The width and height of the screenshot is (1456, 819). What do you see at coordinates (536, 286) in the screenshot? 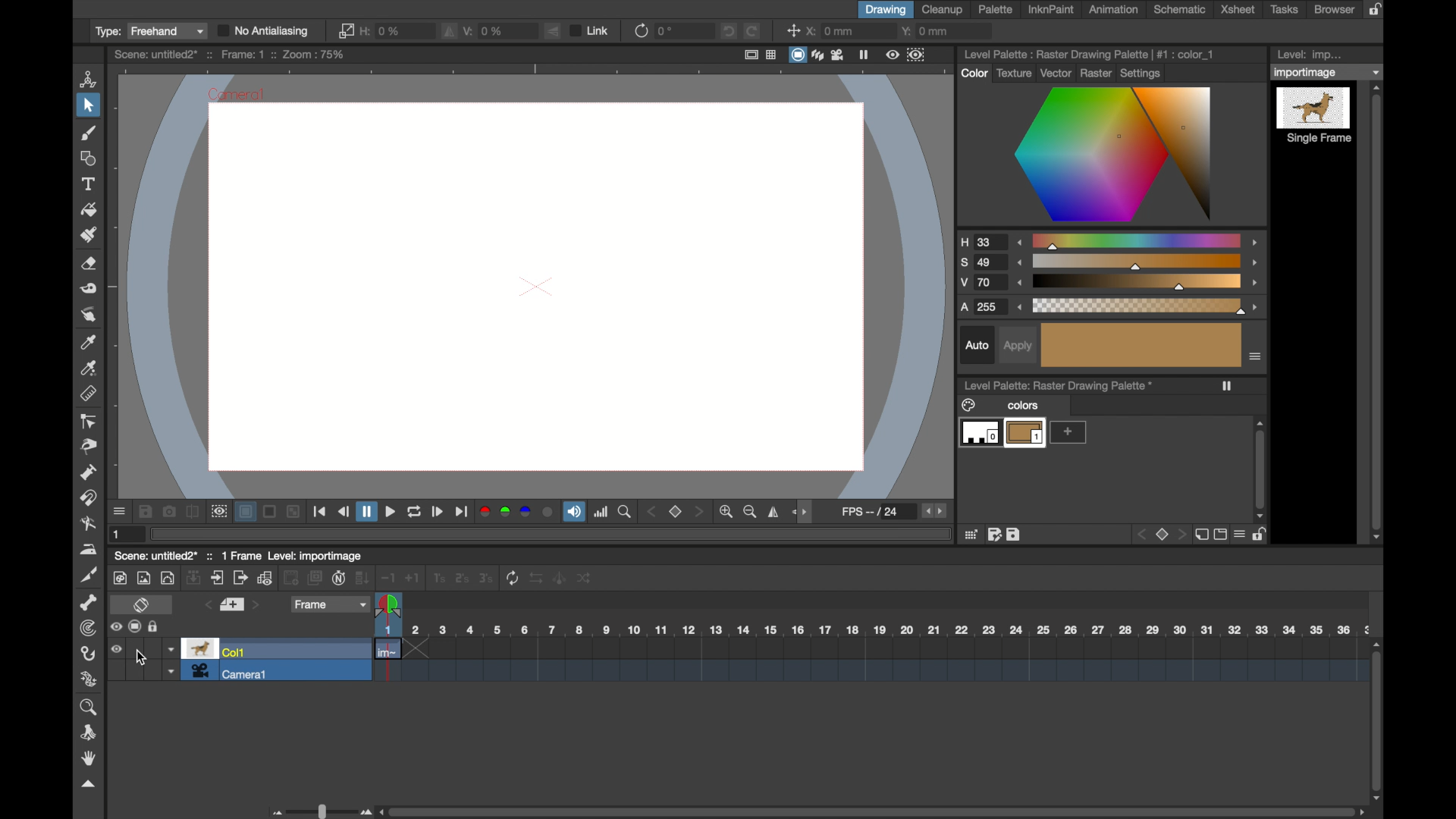
I see `canvas` at bounding box center [536, 286].